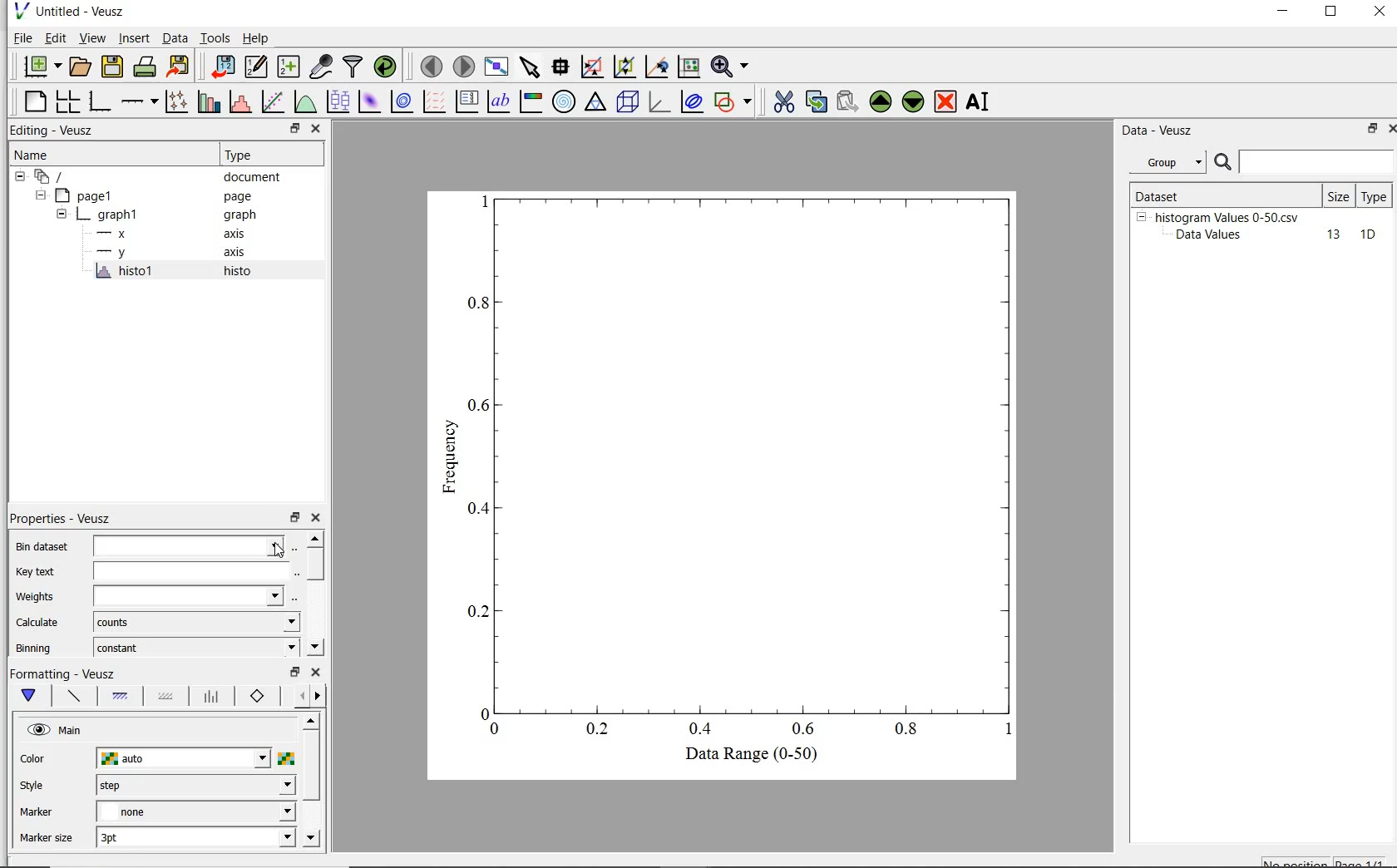 This screenshot has height=868, width=1397. I want to click on  constant, so click(196, 646).